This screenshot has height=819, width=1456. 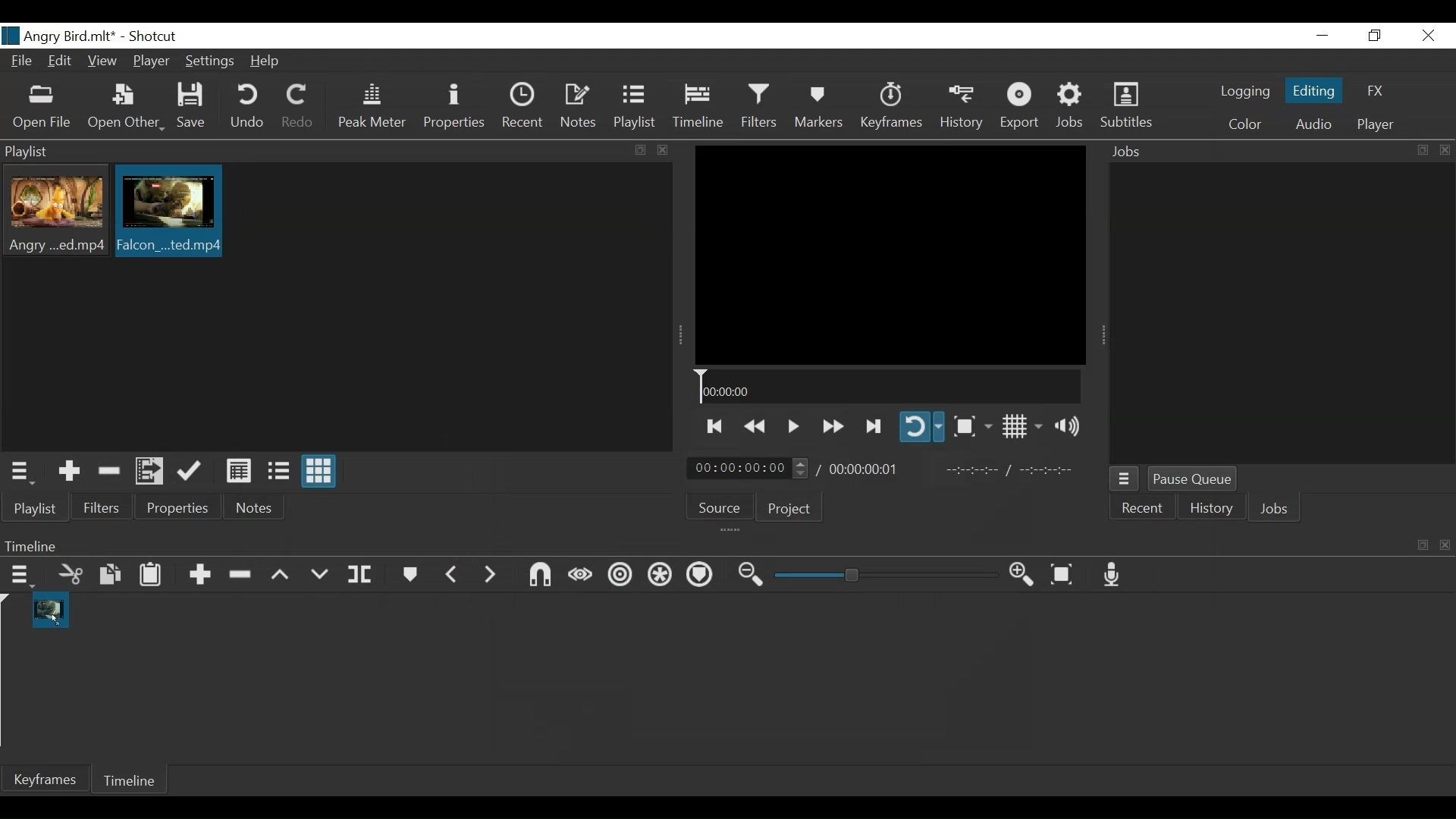 What do you see at coordinates (579, 104) in the screenshot?
I see `Notes` at bounding box center [579, 104].